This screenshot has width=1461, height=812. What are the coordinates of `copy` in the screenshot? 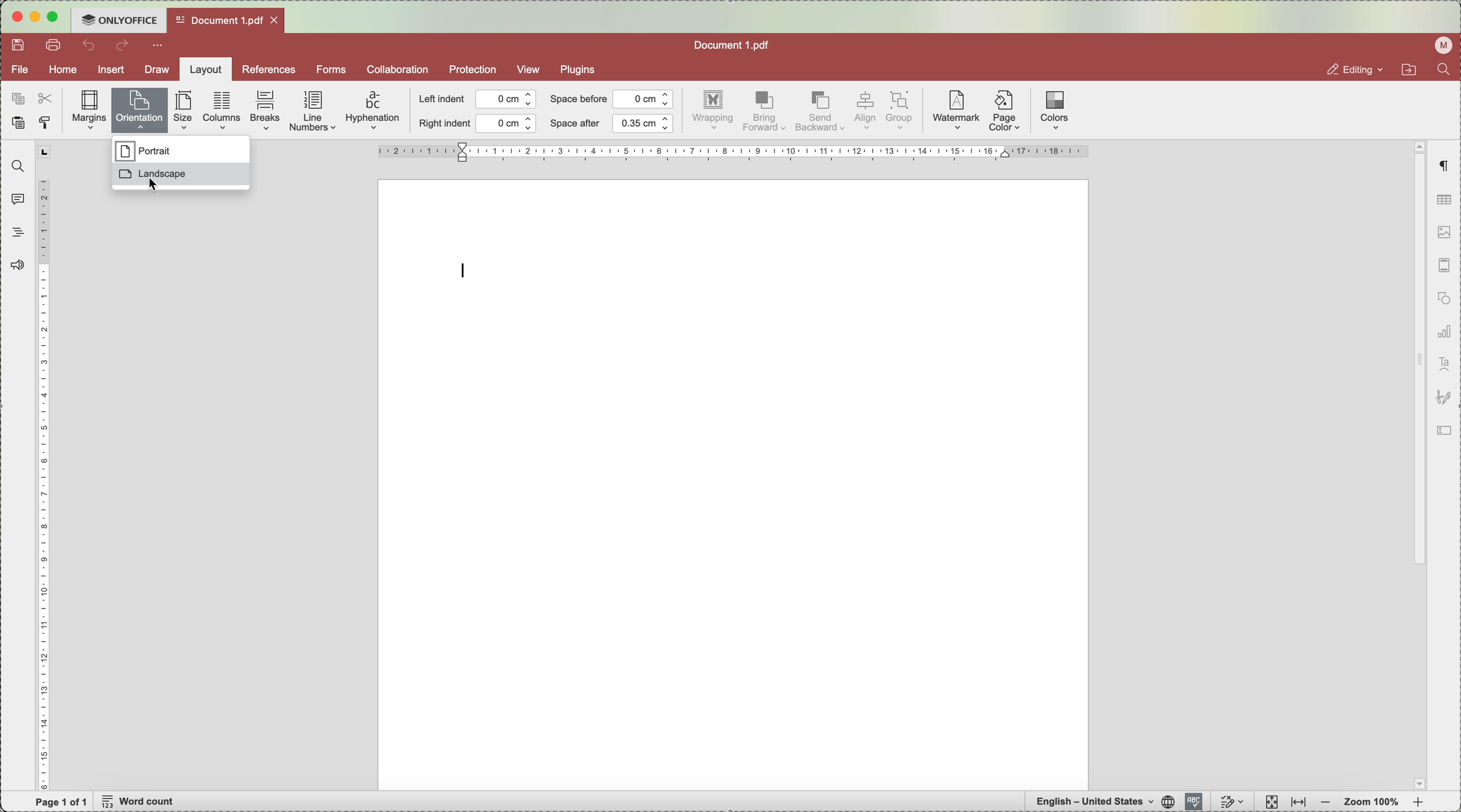 It's located at (15, 96).